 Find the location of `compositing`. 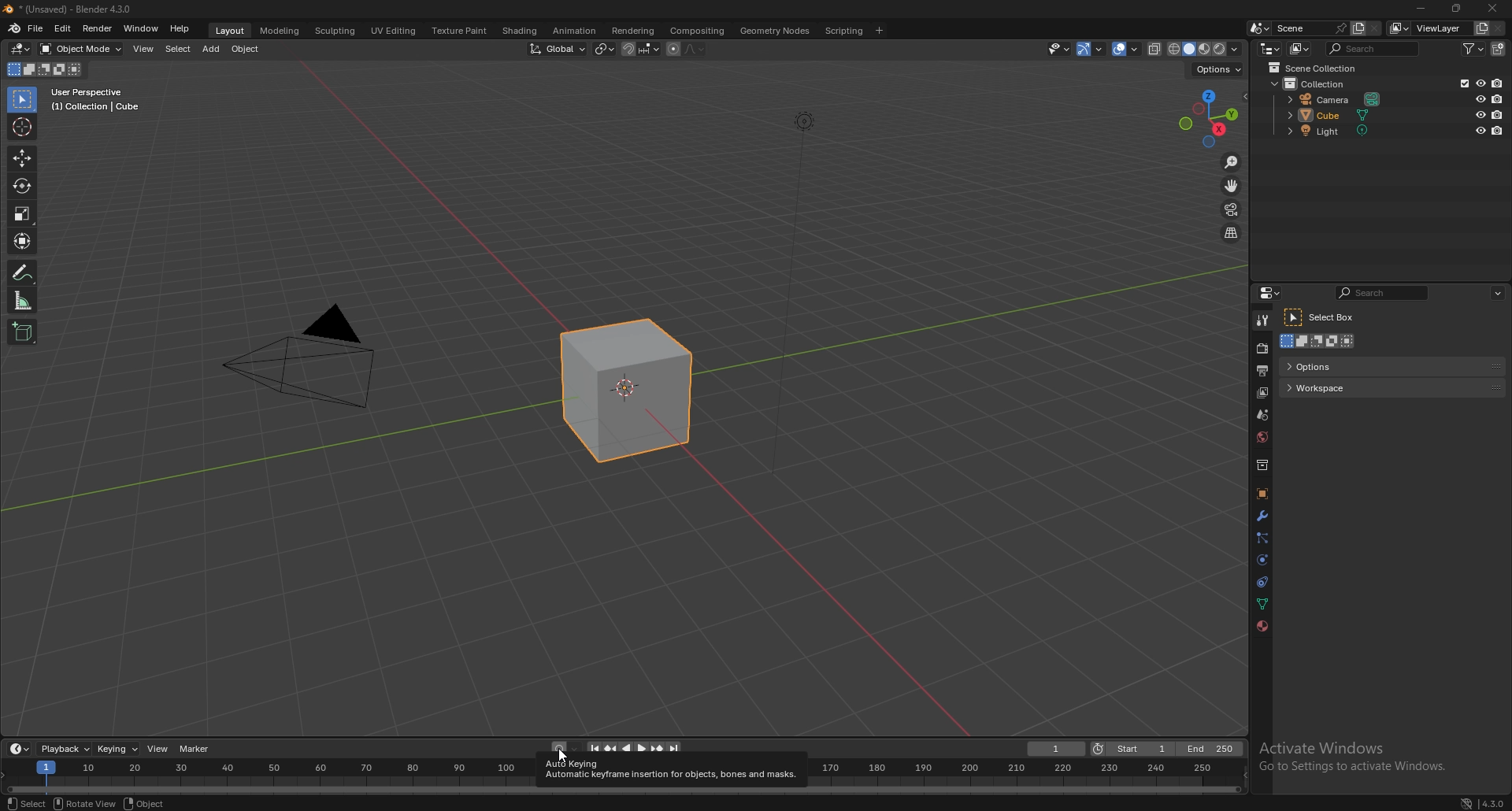

compositing is located at coordinates (699, 31).